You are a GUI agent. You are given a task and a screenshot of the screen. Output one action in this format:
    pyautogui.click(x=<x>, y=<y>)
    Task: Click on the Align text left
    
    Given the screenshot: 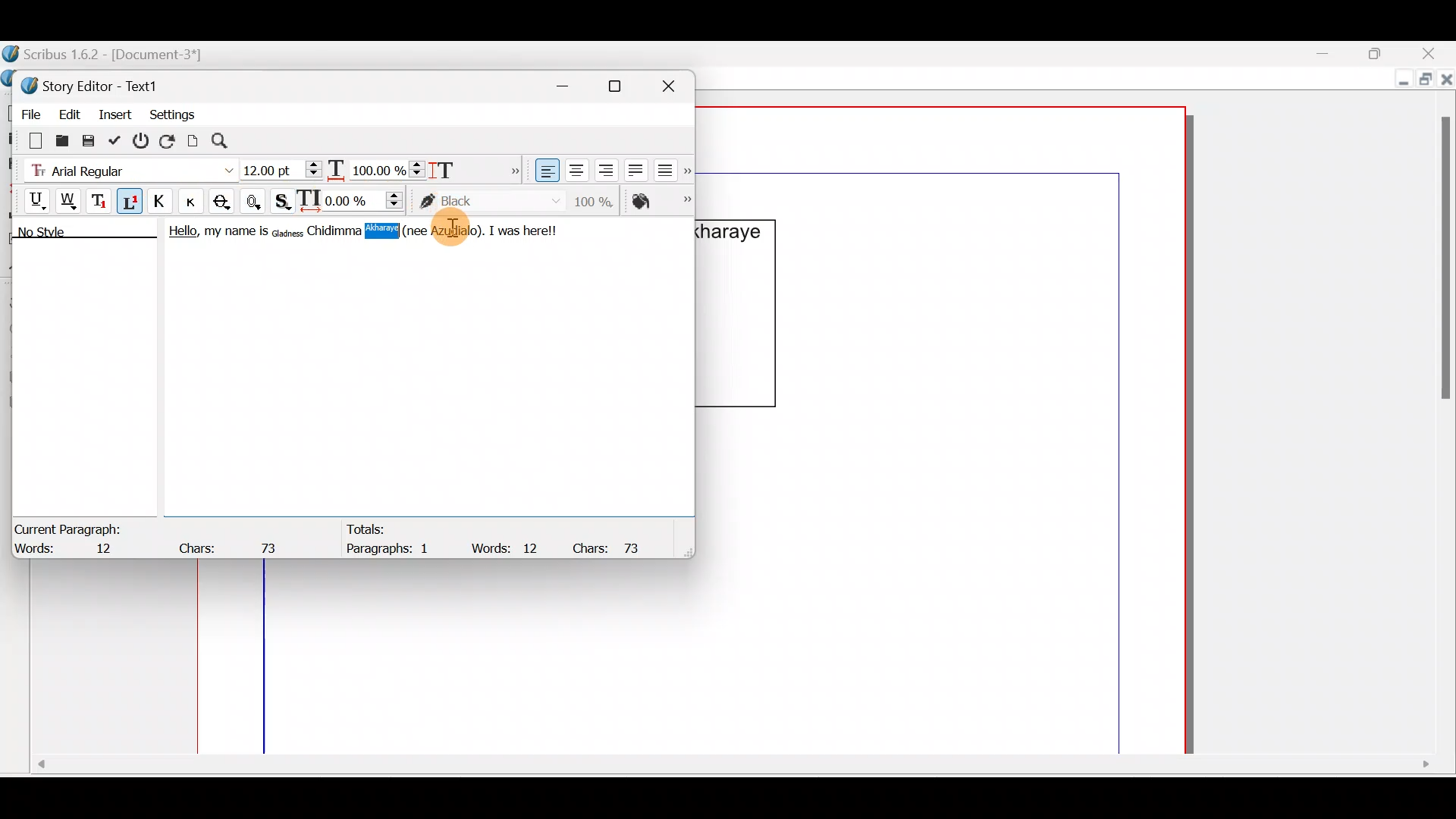 What is the action you would take?
    pyautogui.click(x=545, y=171)
    